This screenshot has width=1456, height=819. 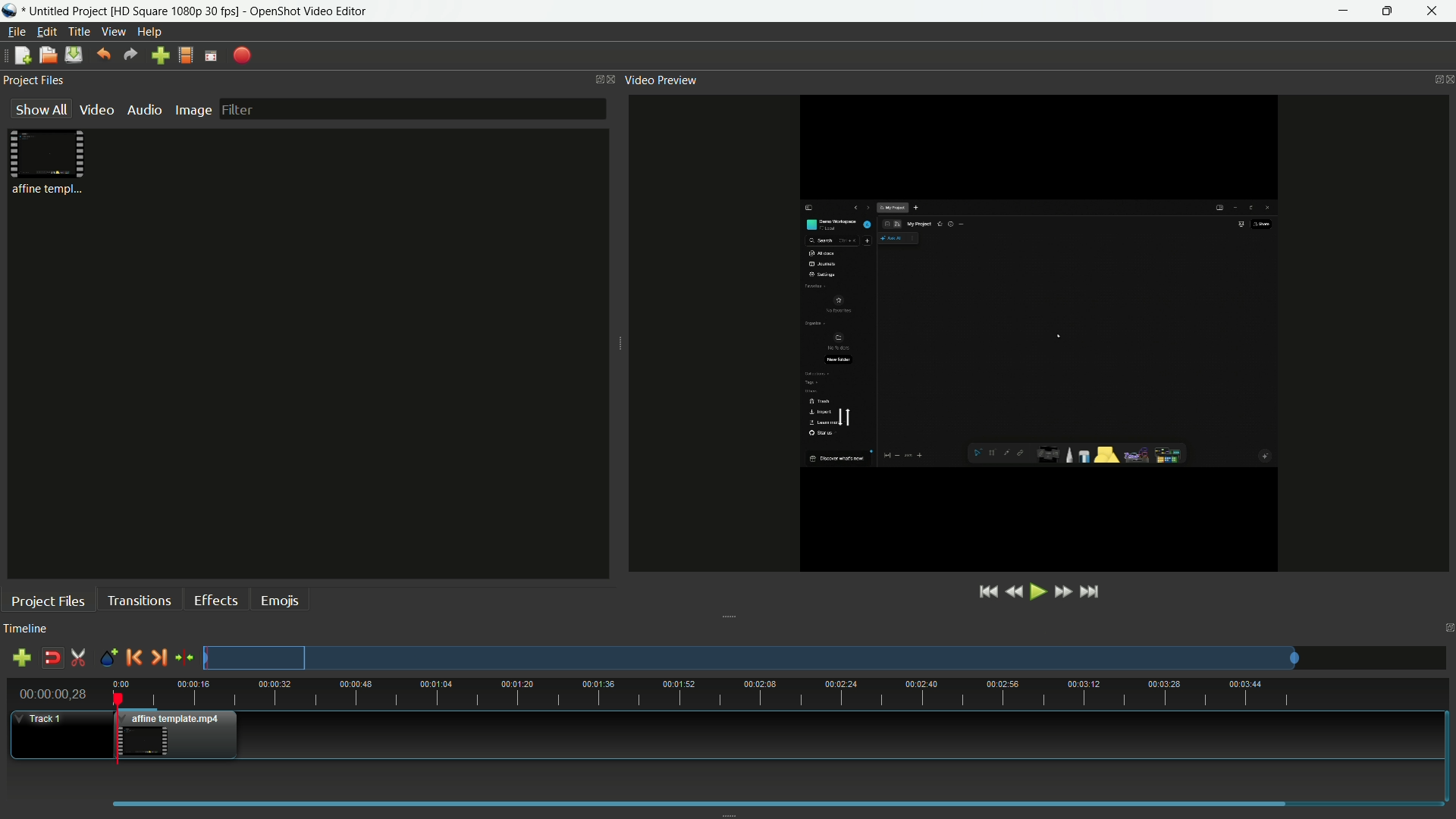 What do you see at coordinates (74, 55) in the screenshot?
I see `save file` at bounding box center [74, 55].